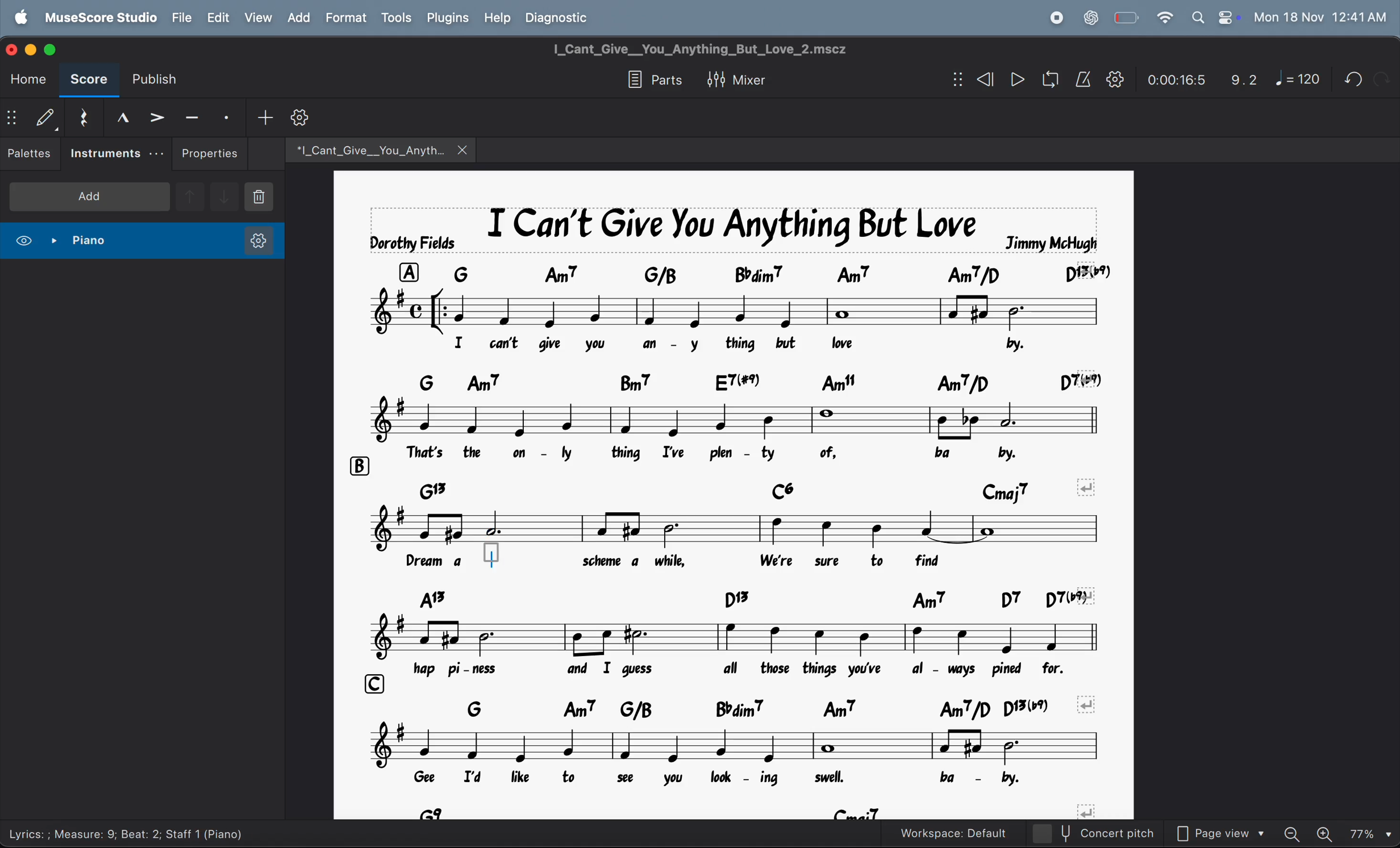 The height and width of the screenshot is (848, 1400). I want to click on show/hide, so click(953, 80).